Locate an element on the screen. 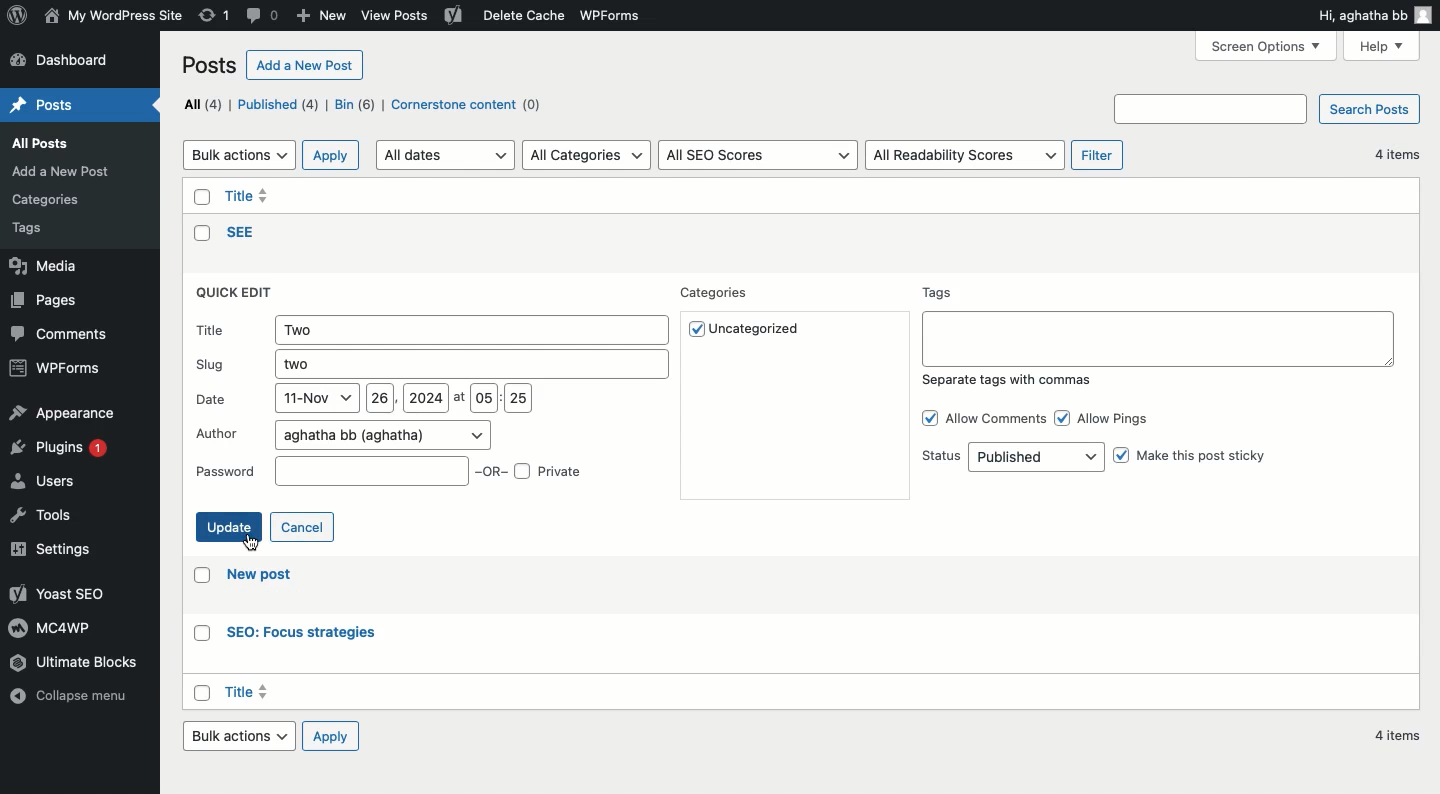 Image resolution: width=1440 pixels, height=794 pixels. Users is located at coordinates (48, 484).